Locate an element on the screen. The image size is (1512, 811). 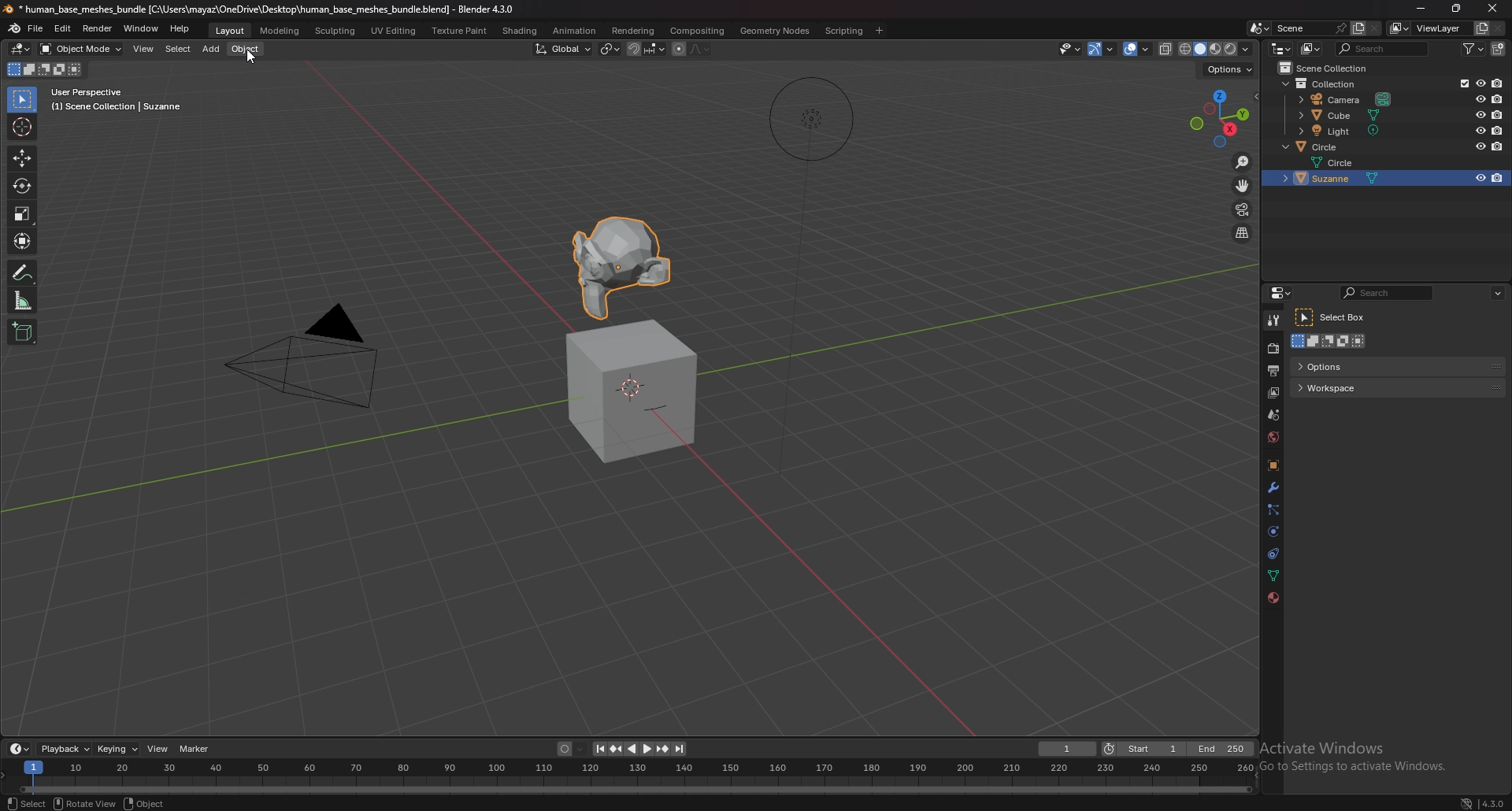
options is located at coordinates (1354, 365).